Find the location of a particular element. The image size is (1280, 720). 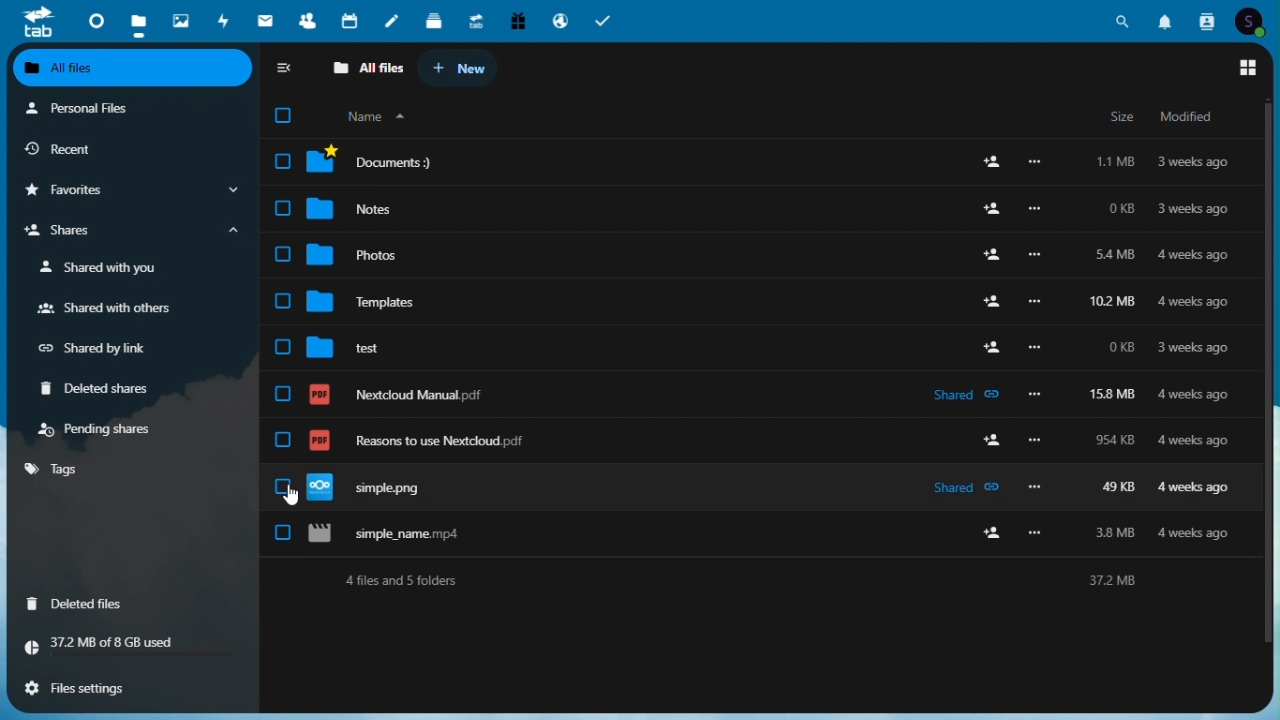

deleted  shares is located at coordinates (103, 390).